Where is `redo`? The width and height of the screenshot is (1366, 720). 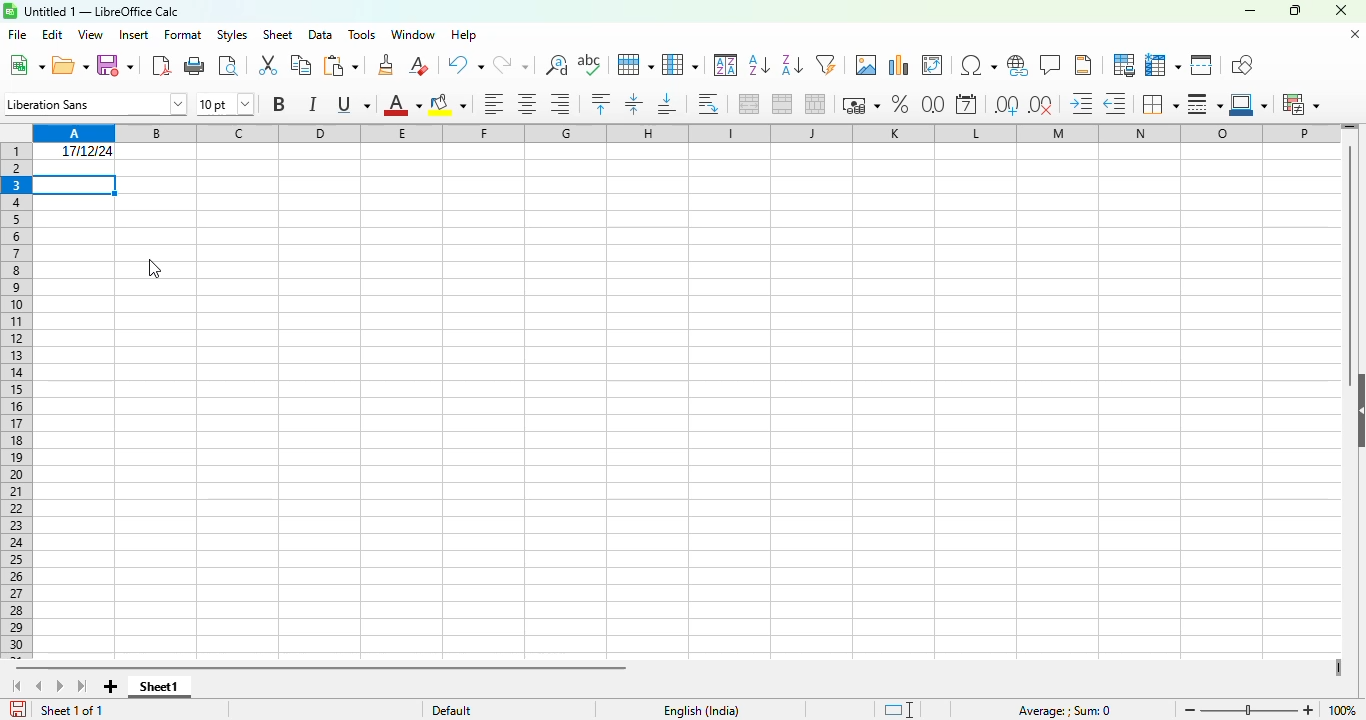
redo is located at coordinates (511, 65).